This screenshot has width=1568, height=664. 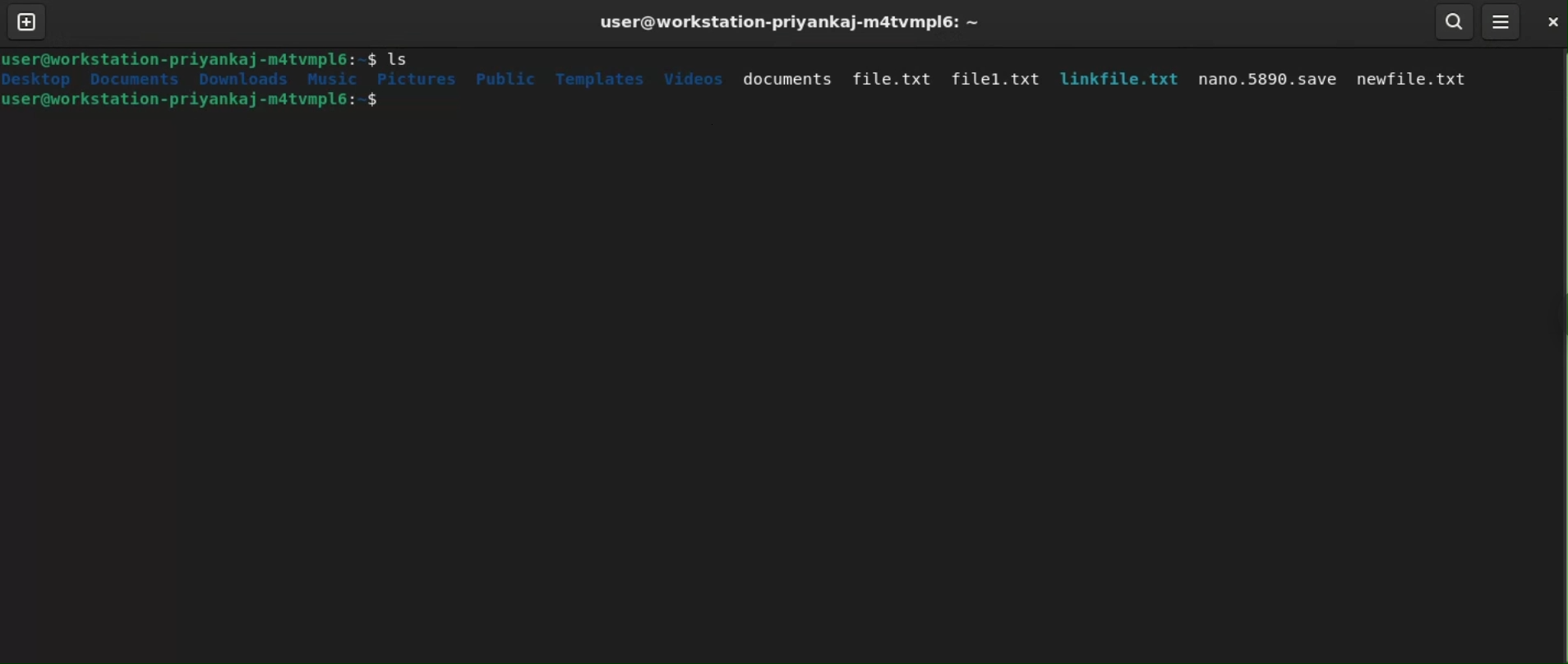 What do you see at coordinates (787, 81) in the screenshot?
I see `documents` at bounding box center [787, 81].